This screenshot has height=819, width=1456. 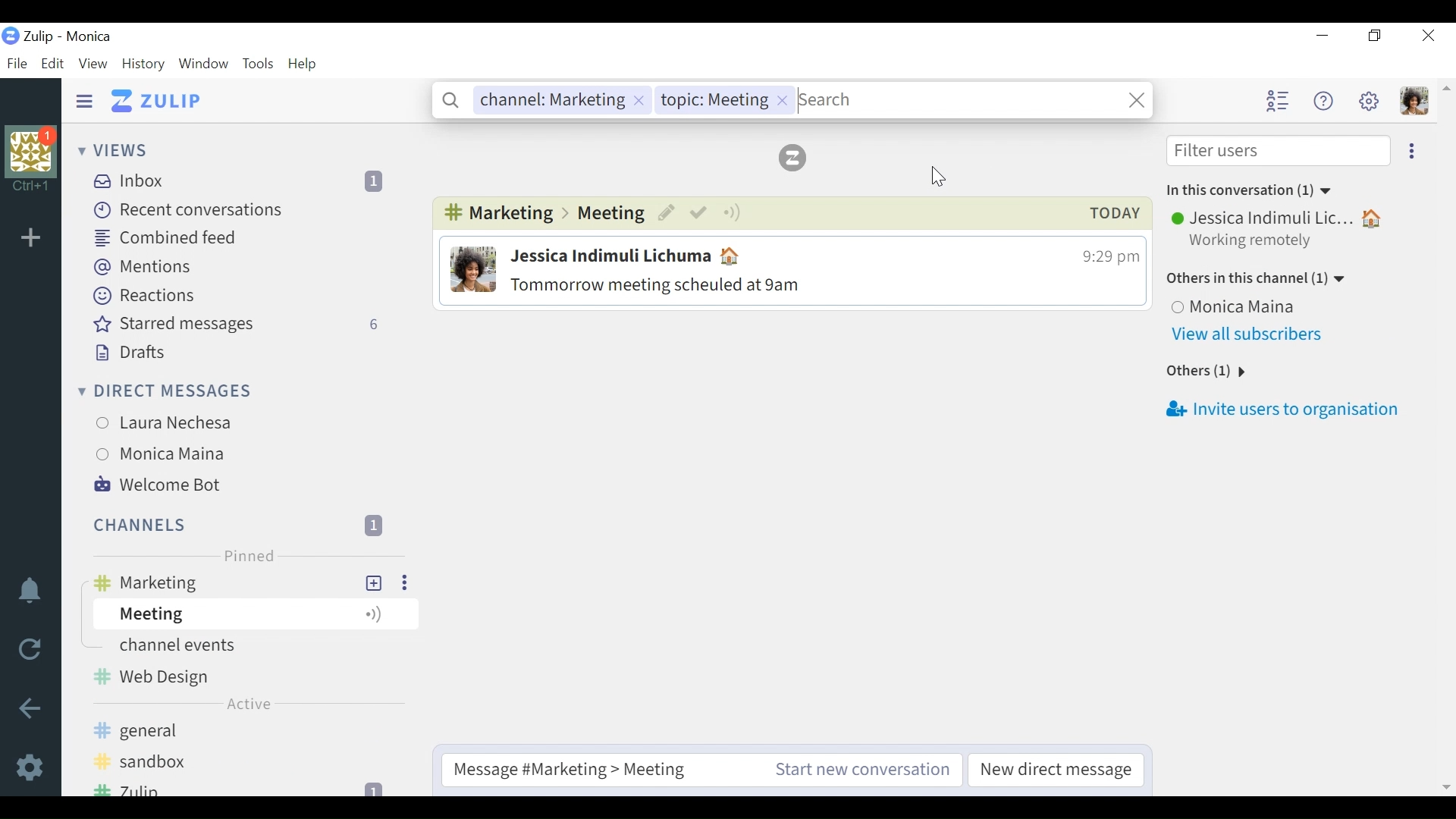 What do you see at coordinates (611, 213) in the screenshot?
I see `Meeting` at bounding box center [611, 213].